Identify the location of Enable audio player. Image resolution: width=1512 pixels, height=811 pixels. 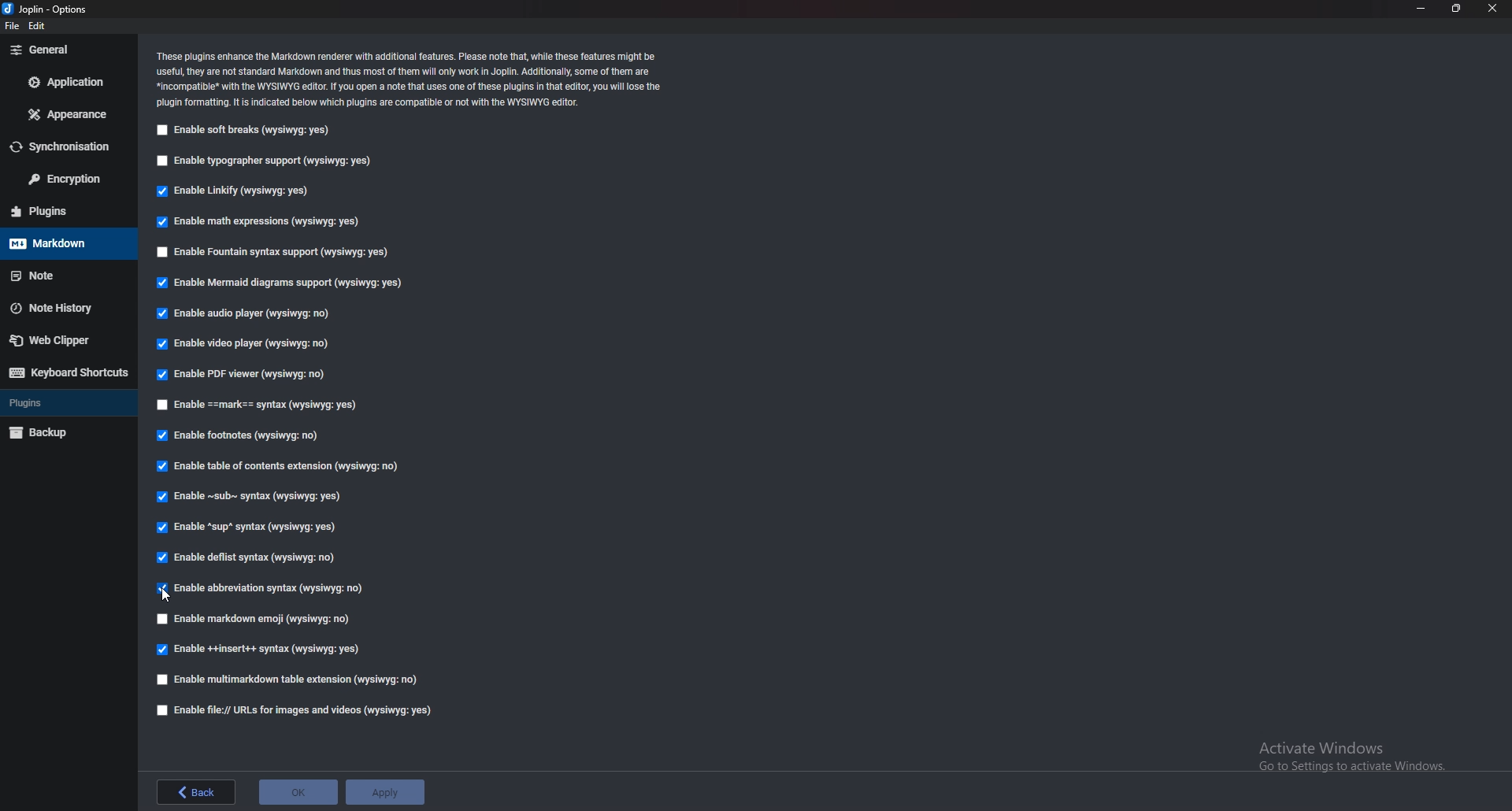
(243, 315).